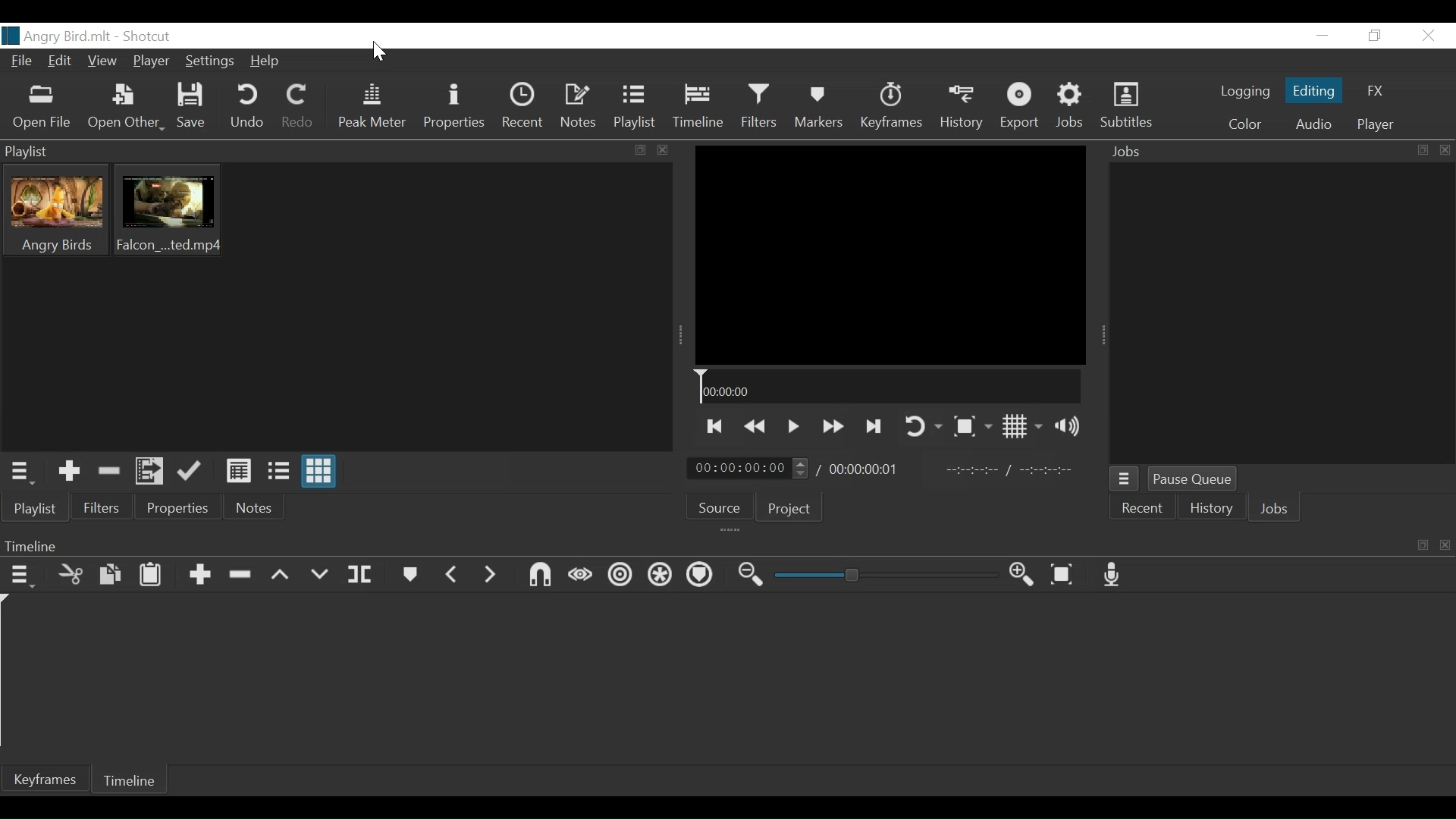 This screenshot has width=1456, height=819. Describe the element at coordinates (300, 108) in the screenshot. I see `` at that location.